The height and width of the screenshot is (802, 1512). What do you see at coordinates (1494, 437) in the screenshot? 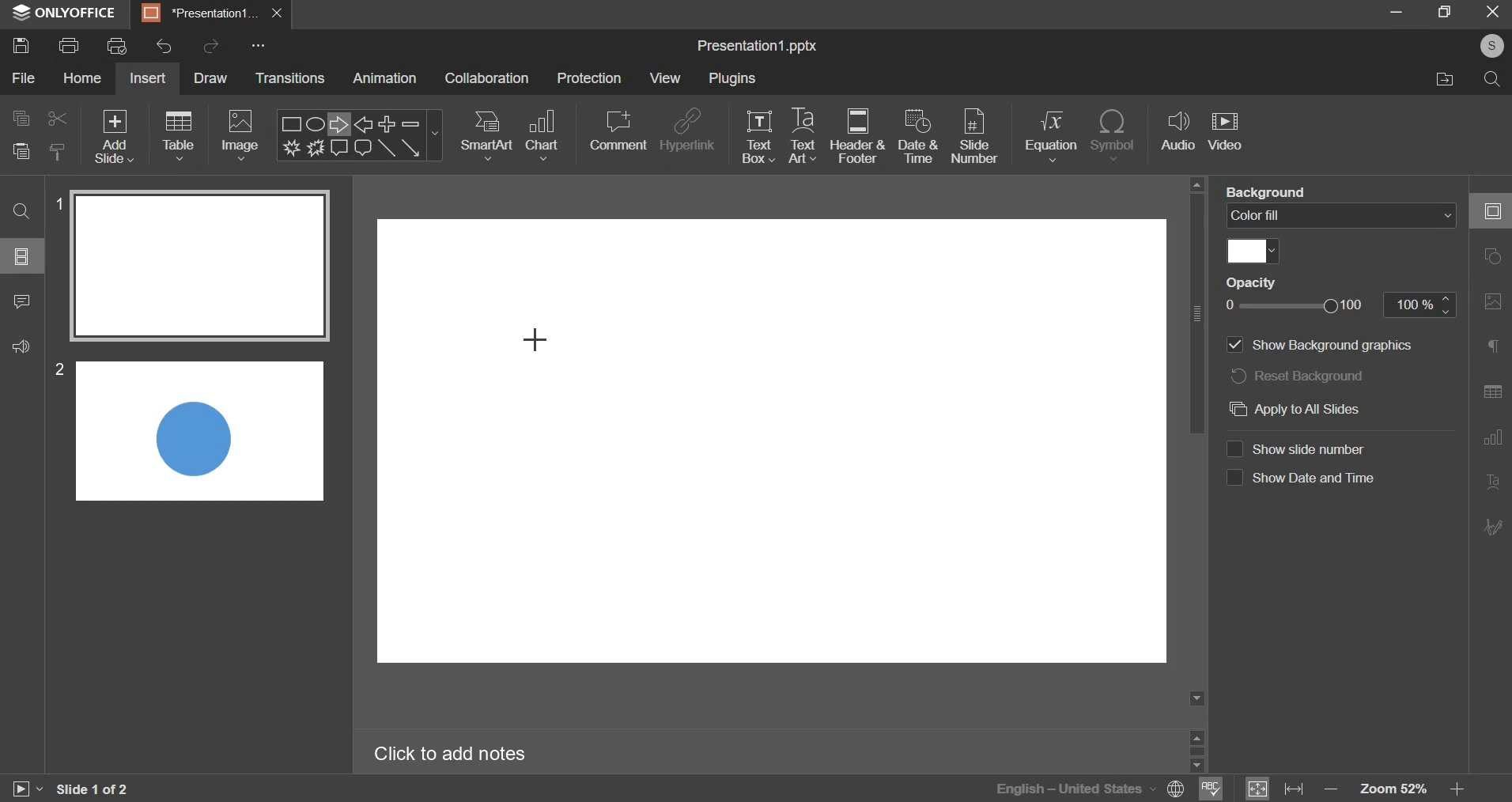
I see `Chart settings` at bounding box center [1494, 437].